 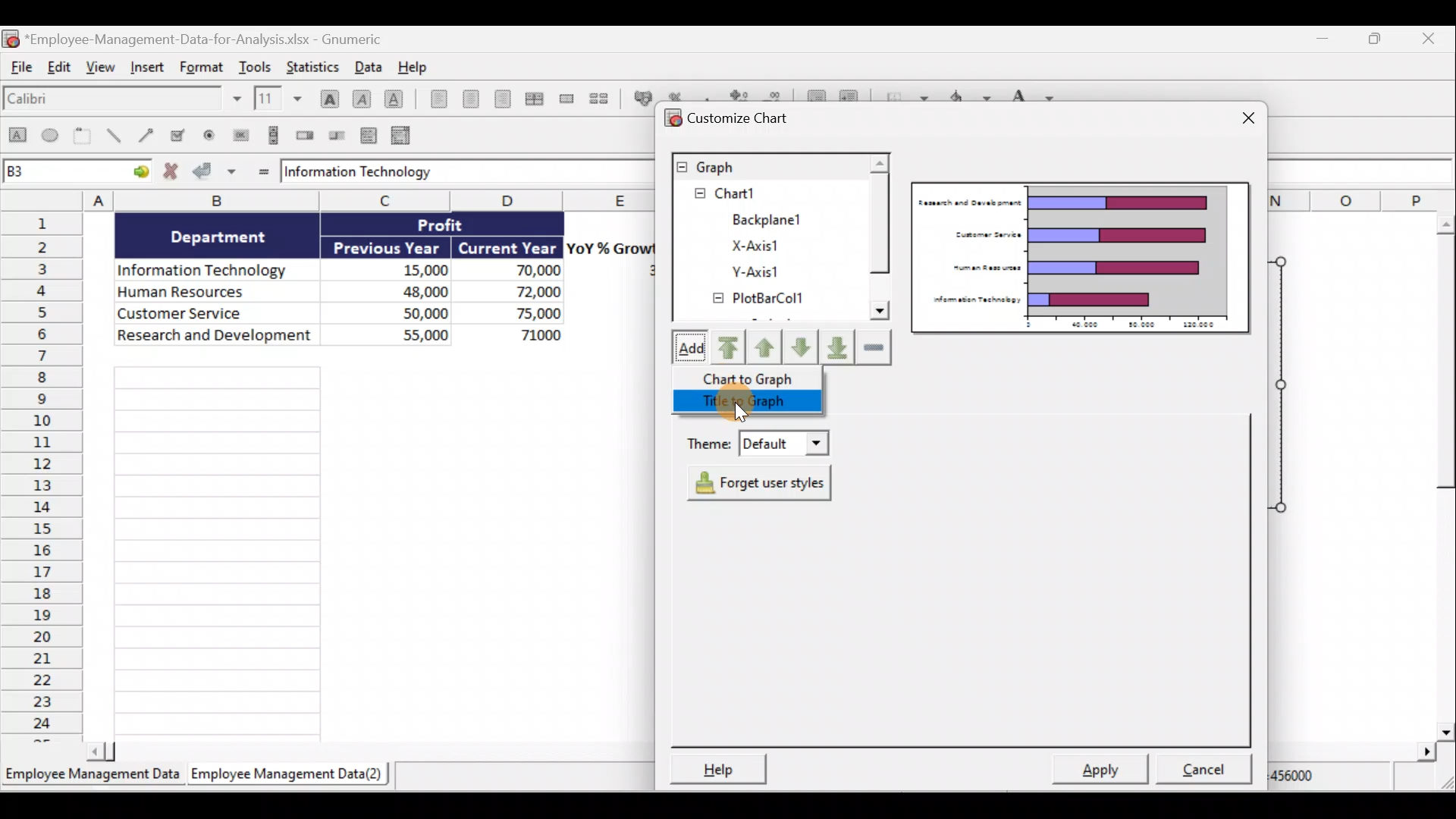 What do you see at coordinates (397, 102) in the screenshot?
I see `Underline` at bounding box center [397, 102].